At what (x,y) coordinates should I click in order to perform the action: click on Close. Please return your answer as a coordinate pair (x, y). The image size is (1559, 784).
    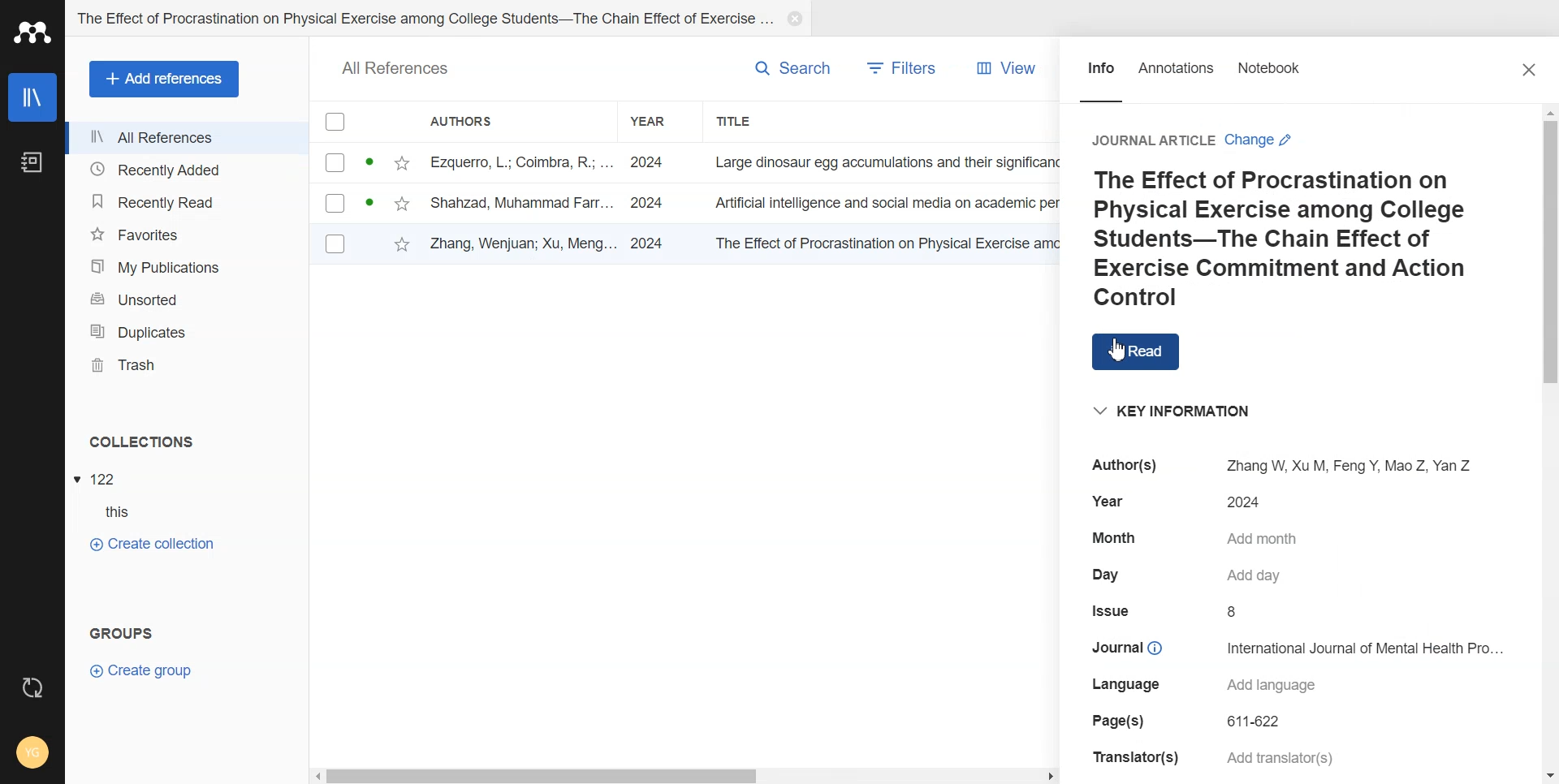
    Looking at the image, I should click on (792, 19).